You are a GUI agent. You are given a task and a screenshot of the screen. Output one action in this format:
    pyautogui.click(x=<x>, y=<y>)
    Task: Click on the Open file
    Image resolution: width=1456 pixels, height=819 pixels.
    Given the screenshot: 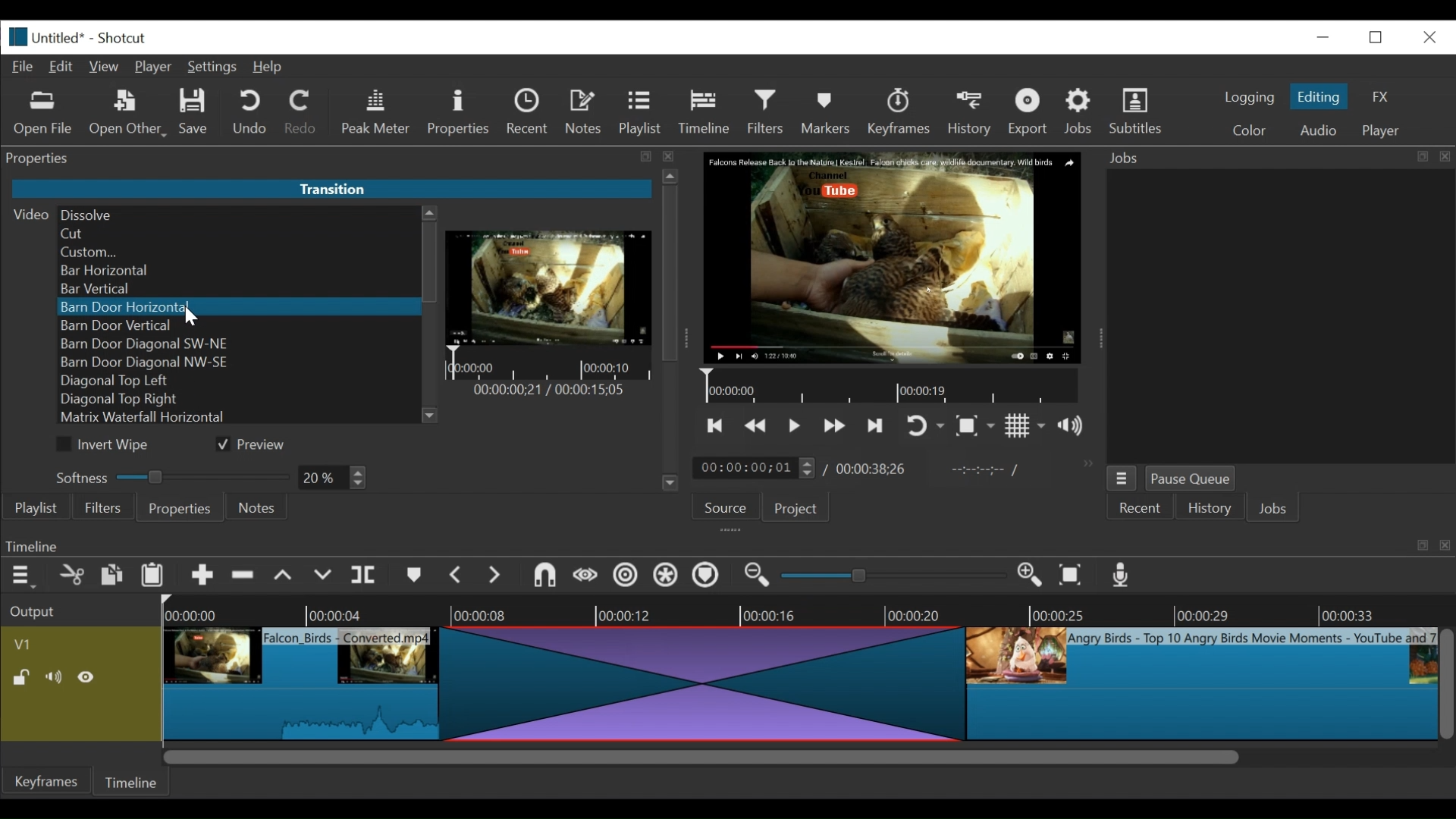 What is the action you would take?
    pyautogui.click(x=43, y=114)
    